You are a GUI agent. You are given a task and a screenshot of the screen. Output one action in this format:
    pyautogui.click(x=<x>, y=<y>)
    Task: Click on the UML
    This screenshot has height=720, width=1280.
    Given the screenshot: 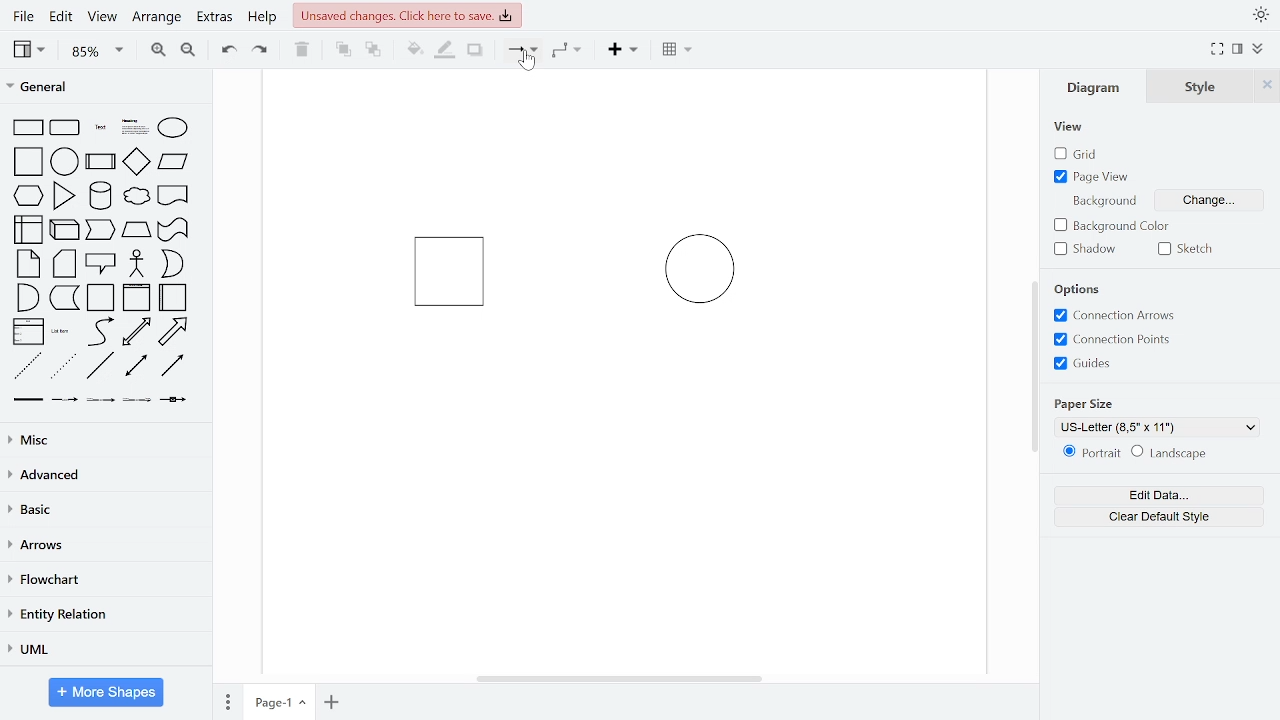 What is the action you would take?
    pyautogui.click(x=101, y=650)
    